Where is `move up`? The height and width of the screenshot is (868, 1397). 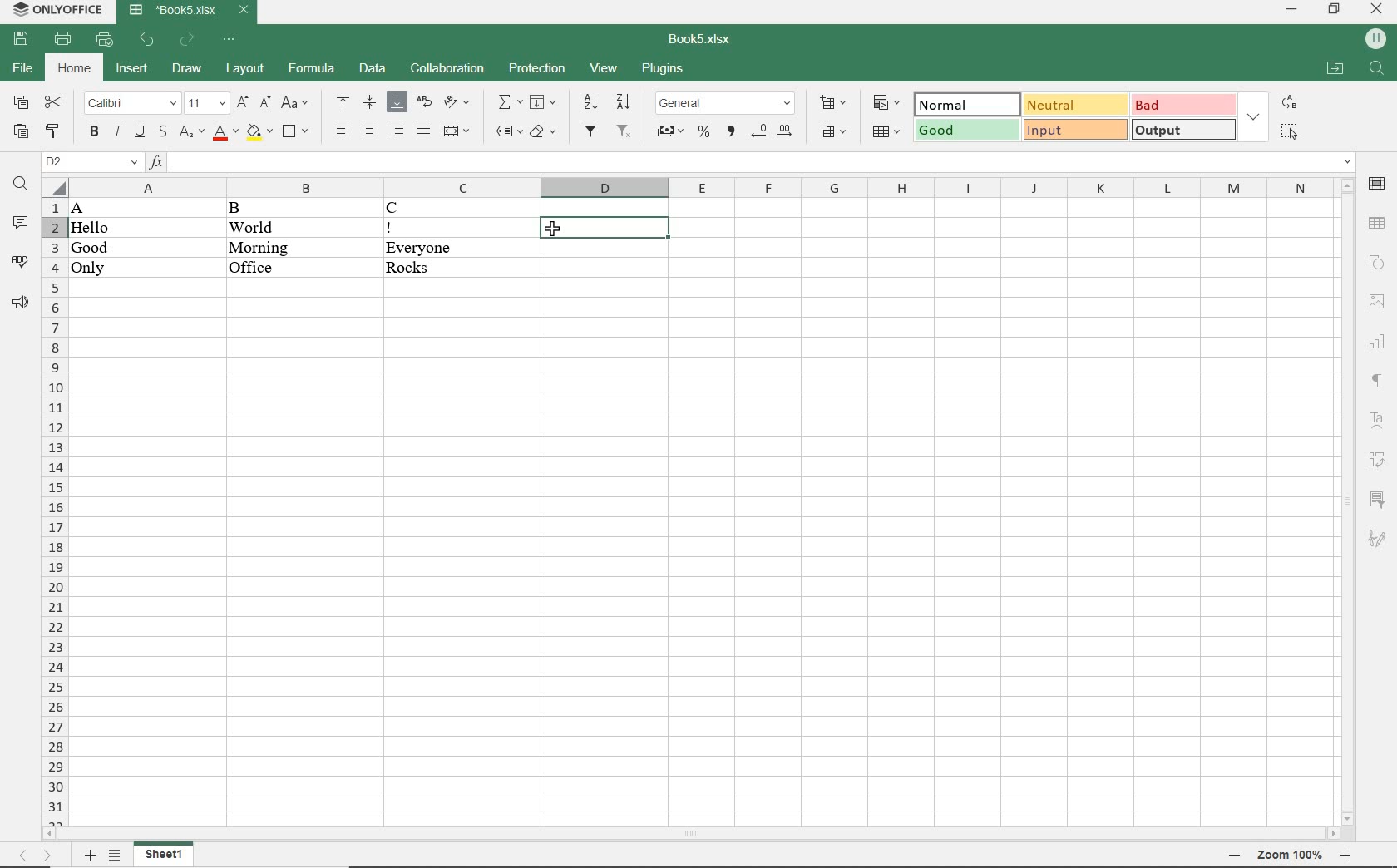 move up is located at coordinates (1346, 185).